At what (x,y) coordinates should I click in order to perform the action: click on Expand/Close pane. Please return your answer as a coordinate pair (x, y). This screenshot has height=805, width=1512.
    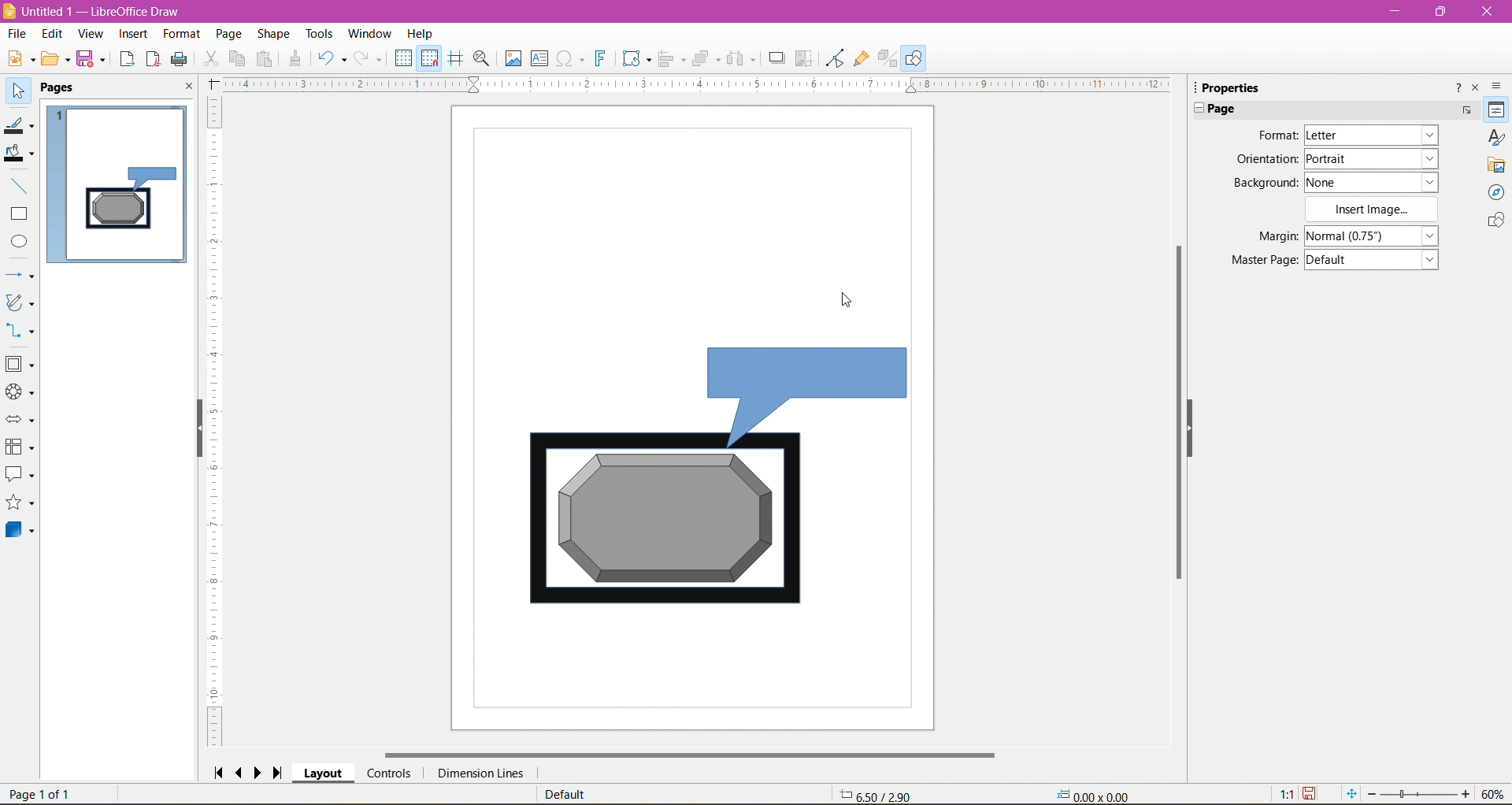
    Looking at the image, I should click on (1195, 109).